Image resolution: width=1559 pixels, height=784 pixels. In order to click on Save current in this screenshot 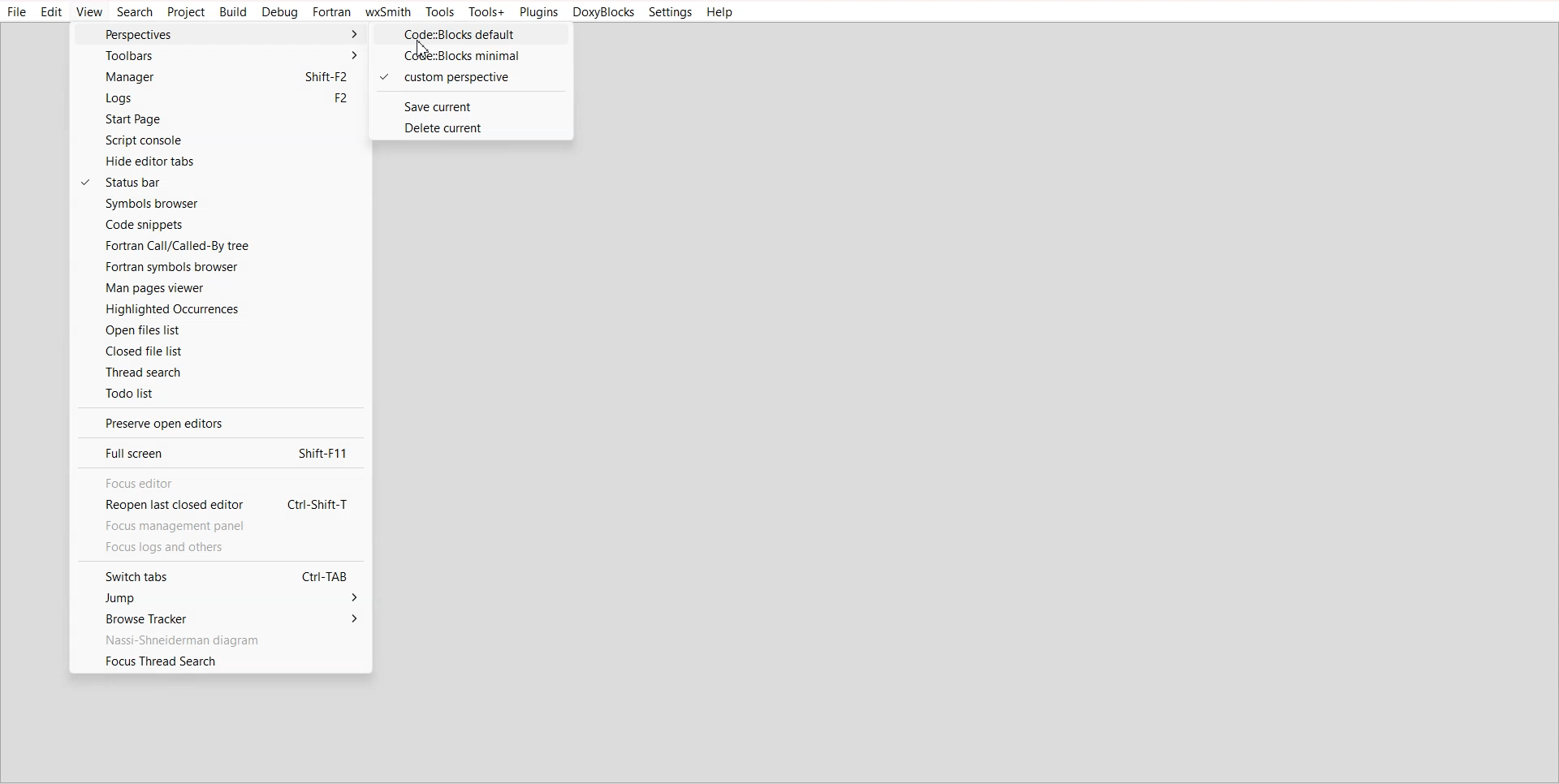, I will do `click(469, 106)`.